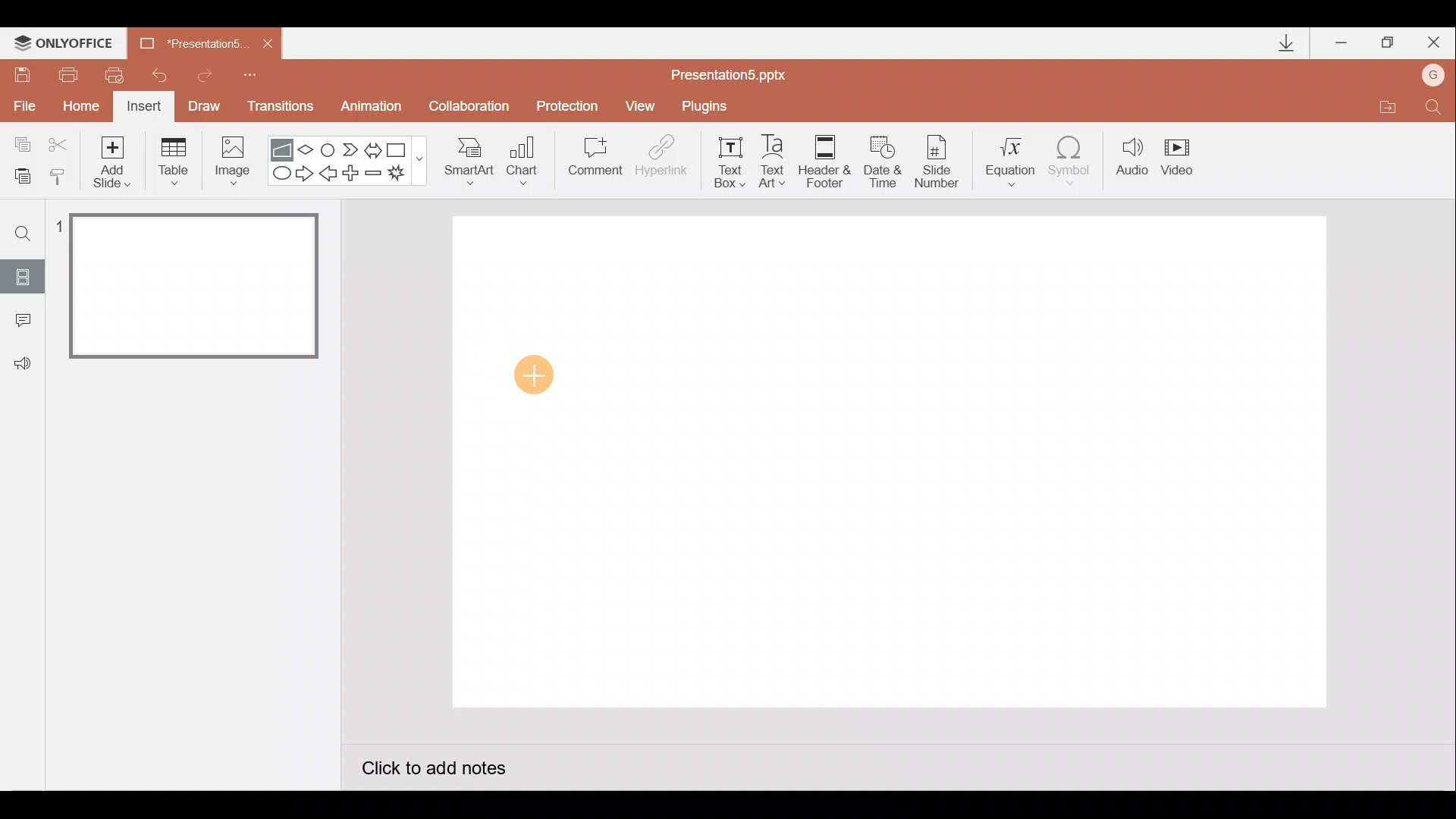  Describe the element at coordinates (1434, 45) in the screenshot. I see `Close` at that location.